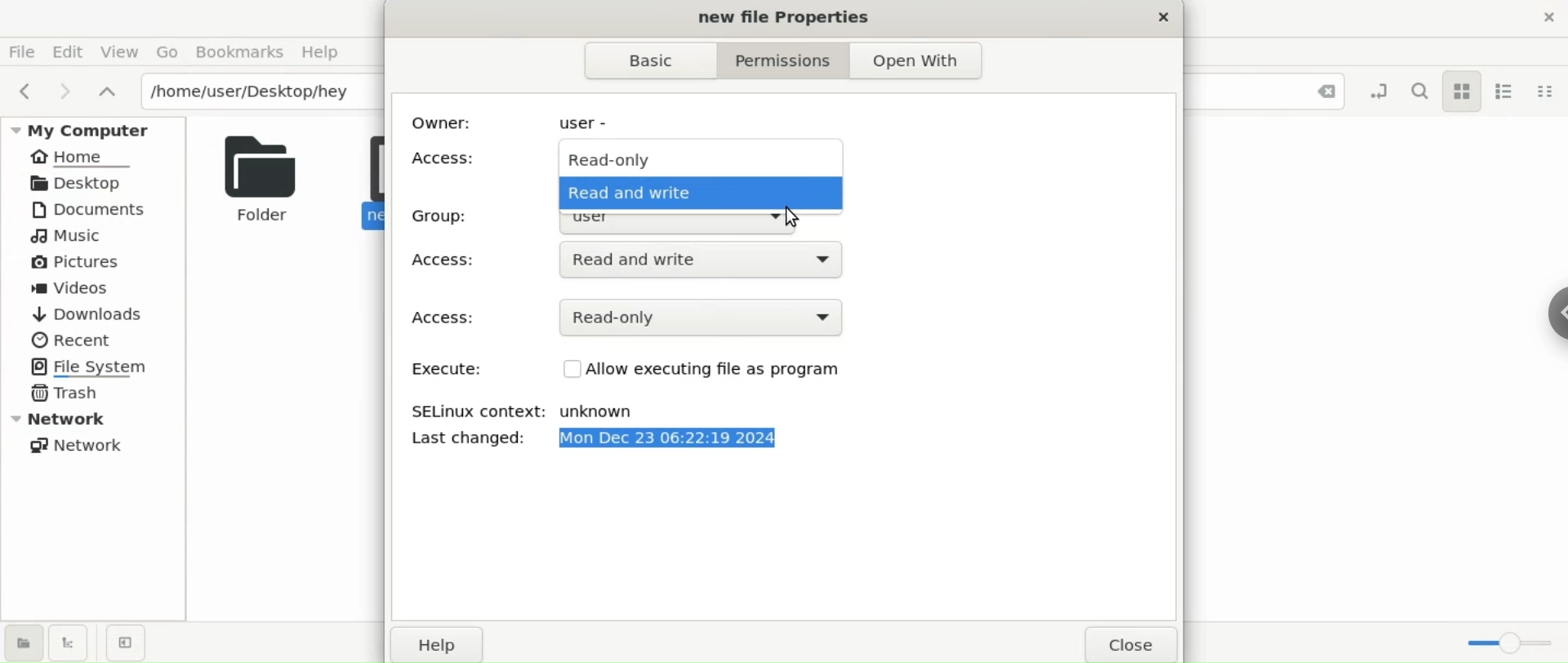 This screenshot has width=1568, height=663. What do you see at coordinates (82, 289) in the screenshot?
I see `Videos` at bounding box center [82, 289].